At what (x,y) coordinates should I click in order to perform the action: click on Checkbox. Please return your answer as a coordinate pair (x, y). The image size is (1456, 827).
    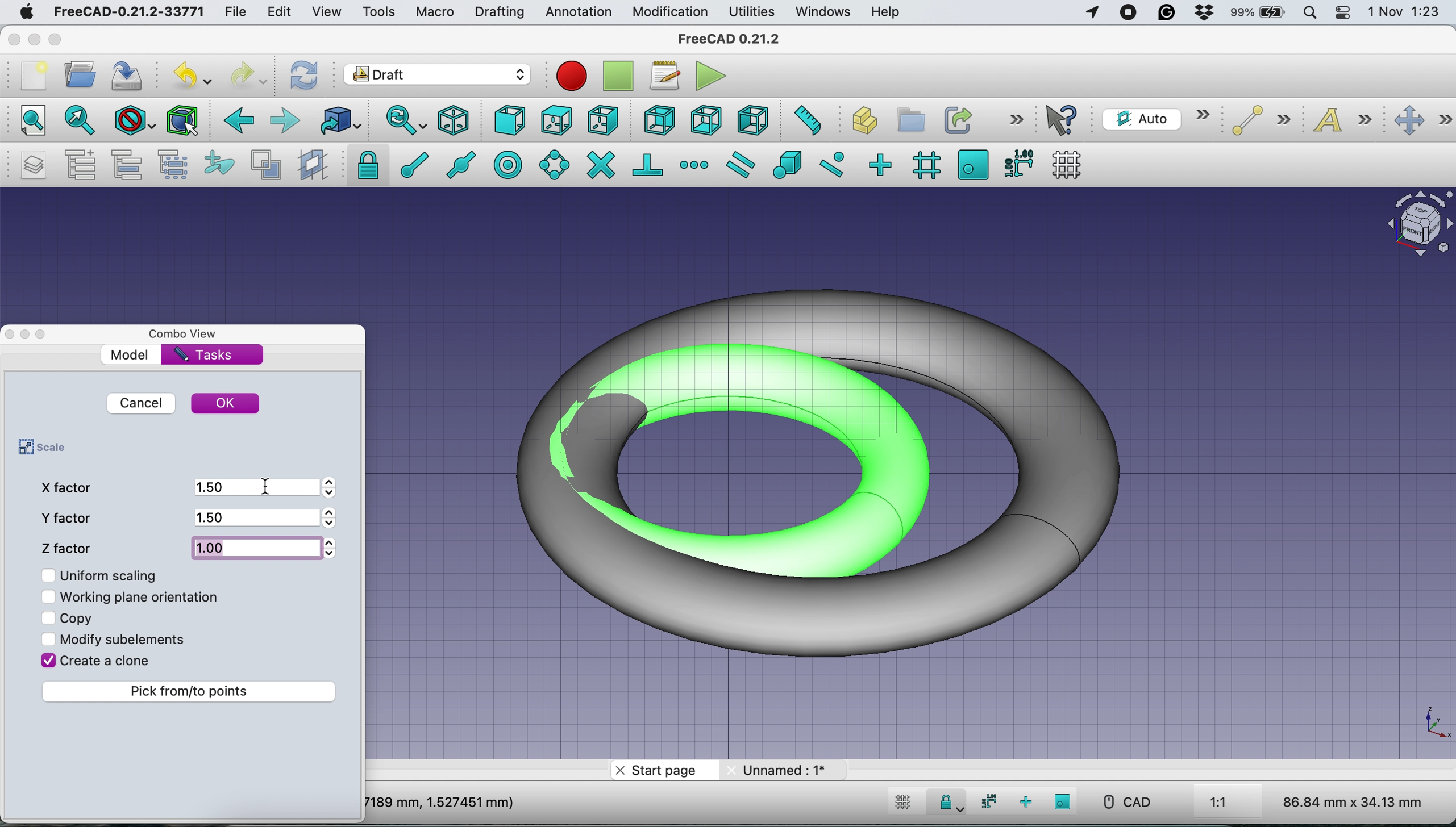
    Looking at the image, I should click on (48, 640).